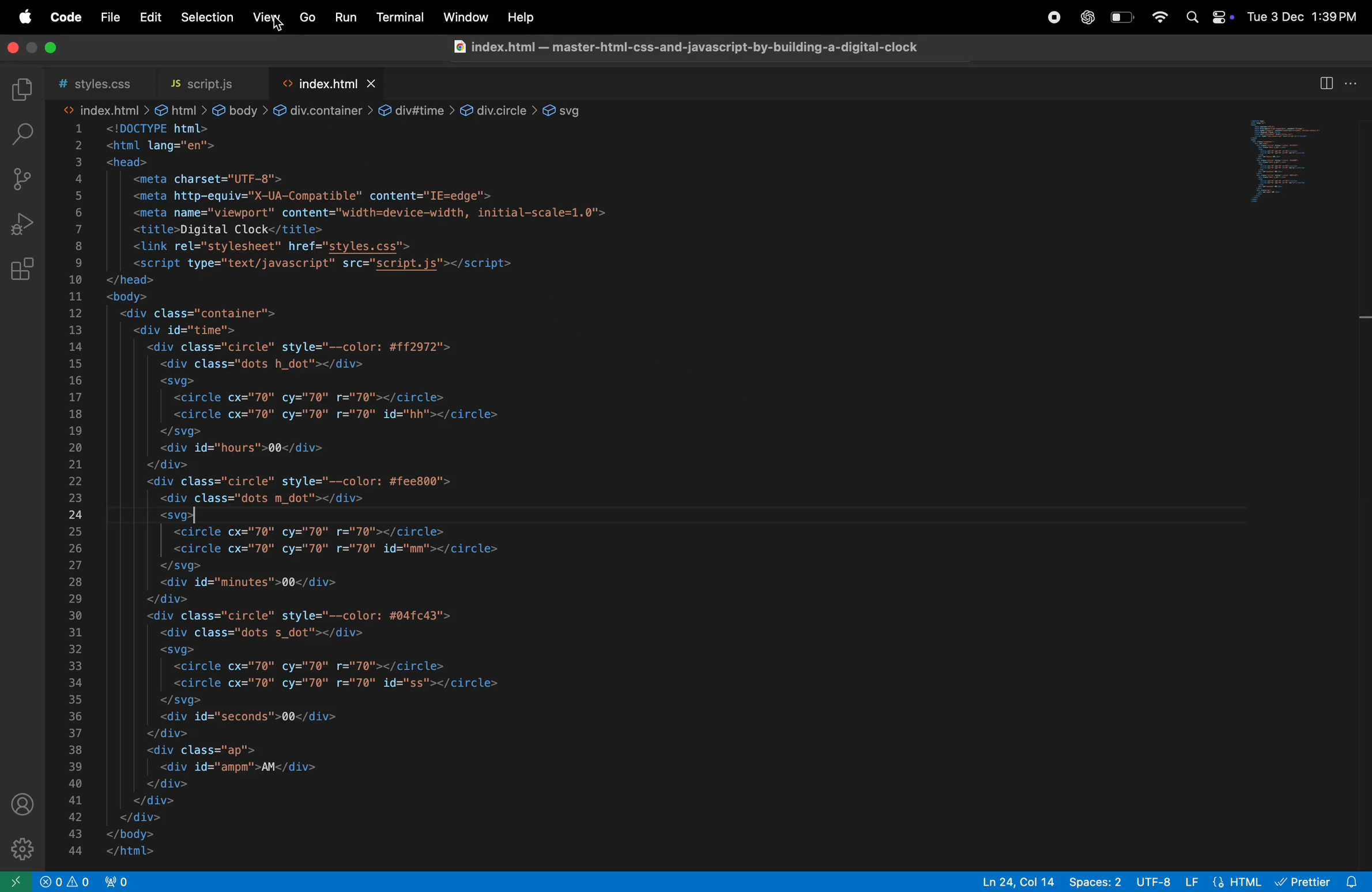 Image resolution: width=1372 pixels, height=892 pixels. What do you see at coordinates (498, 107) in the screenshot?
I see `div.circle` at bounding box center [498, 107].